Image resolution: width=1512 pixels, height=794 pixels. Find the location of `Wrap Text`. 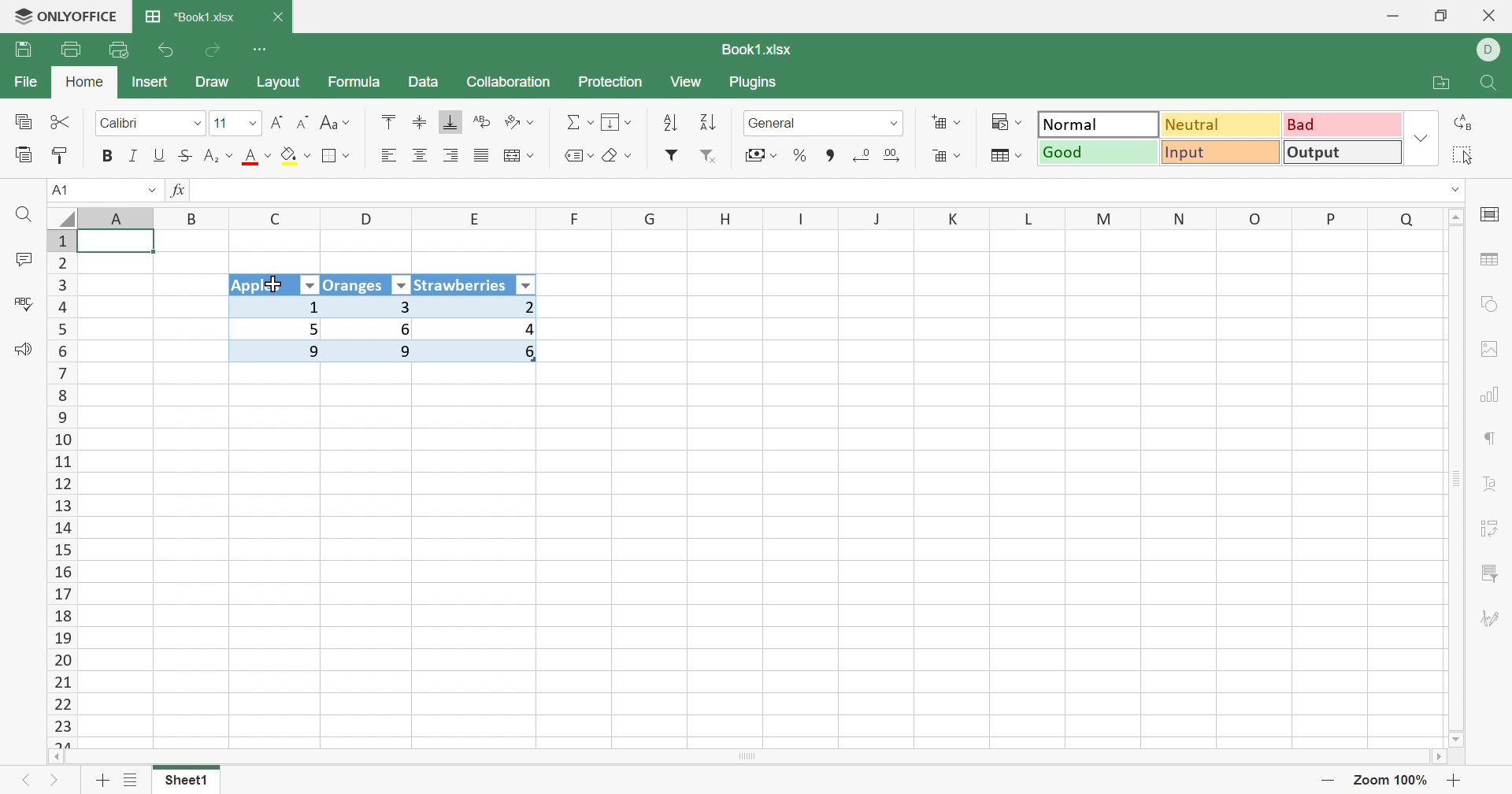

Wrap Text is located at coordinates (480, 123).